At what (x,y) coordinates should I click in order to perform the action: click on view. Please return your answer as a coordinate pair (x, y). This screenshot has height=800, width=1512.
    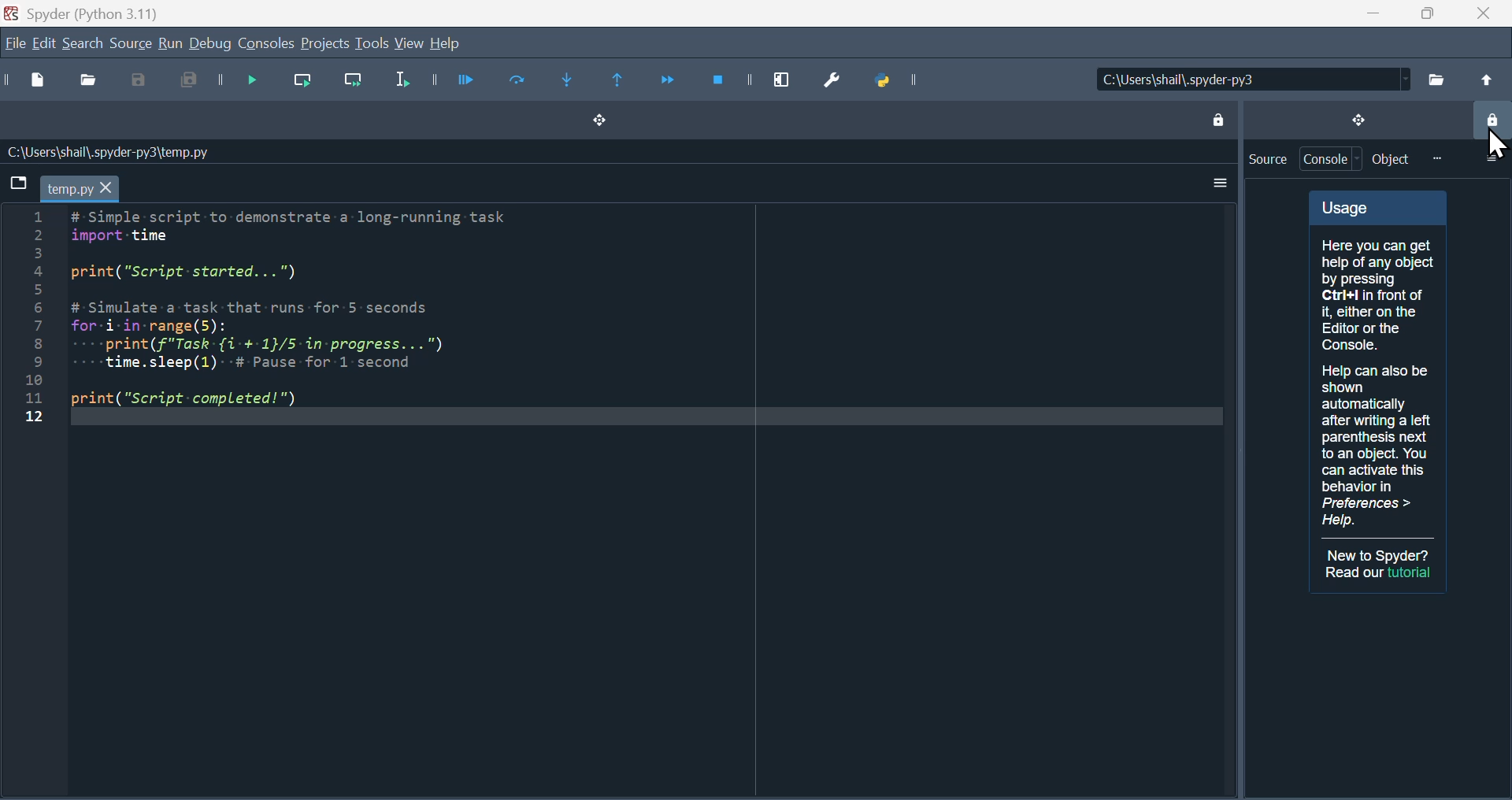
    Looking at the image, I should click on (410, 44).